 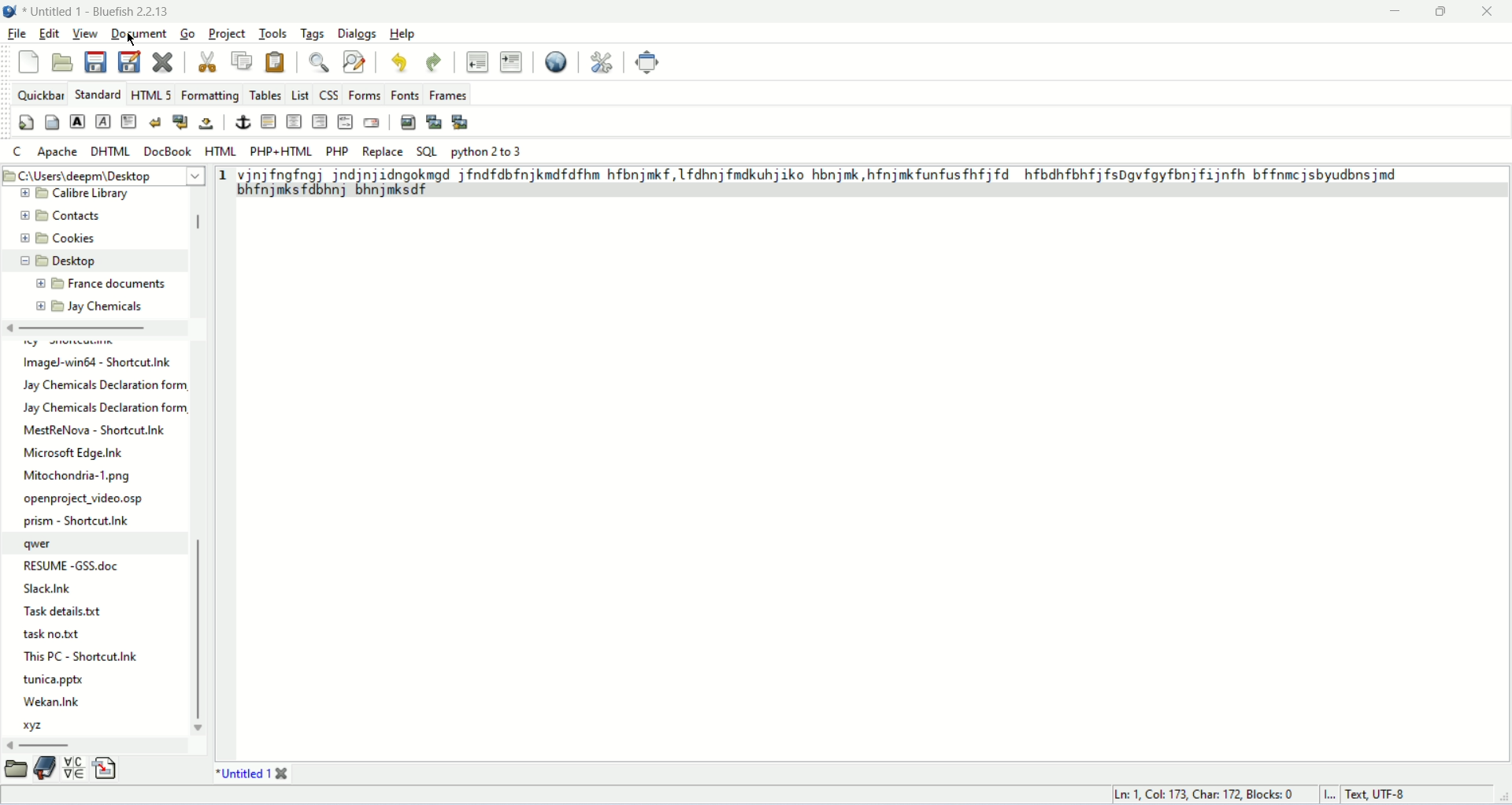 I want to click on Wekan.Ink, so click(x=51, y=702).